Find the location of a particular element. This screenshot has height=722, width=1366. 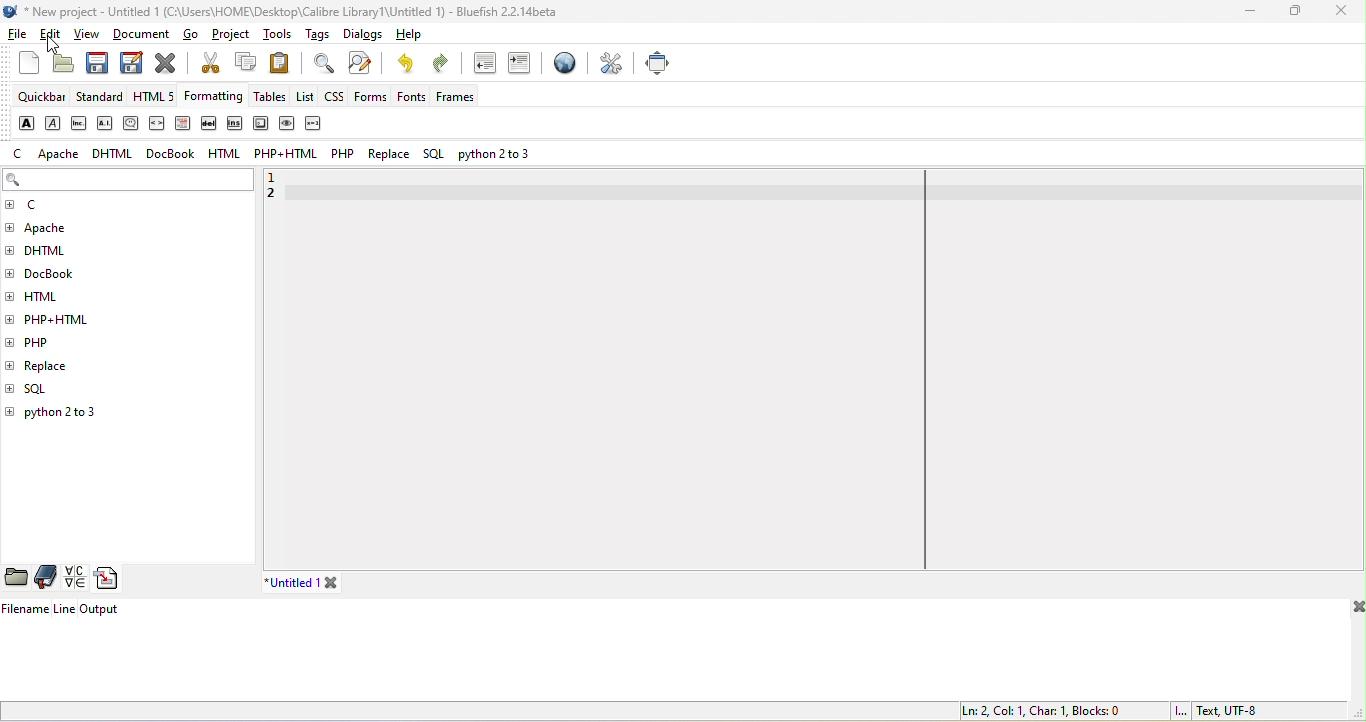

sample is located at coordinates (288, 126).